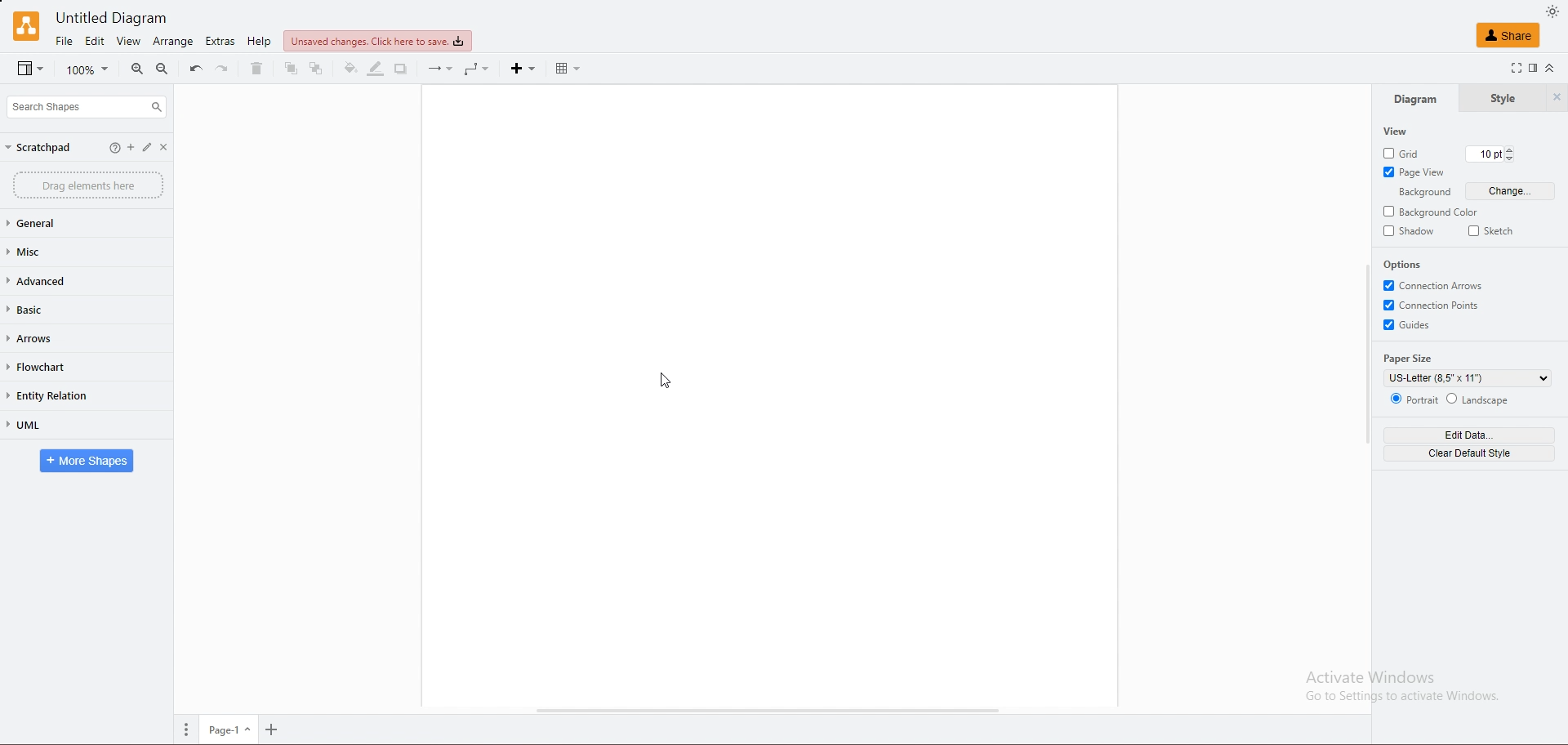 Image resolution: width=1568 pixels, height=745 pixels. I want to click on view, so click(30, 69).